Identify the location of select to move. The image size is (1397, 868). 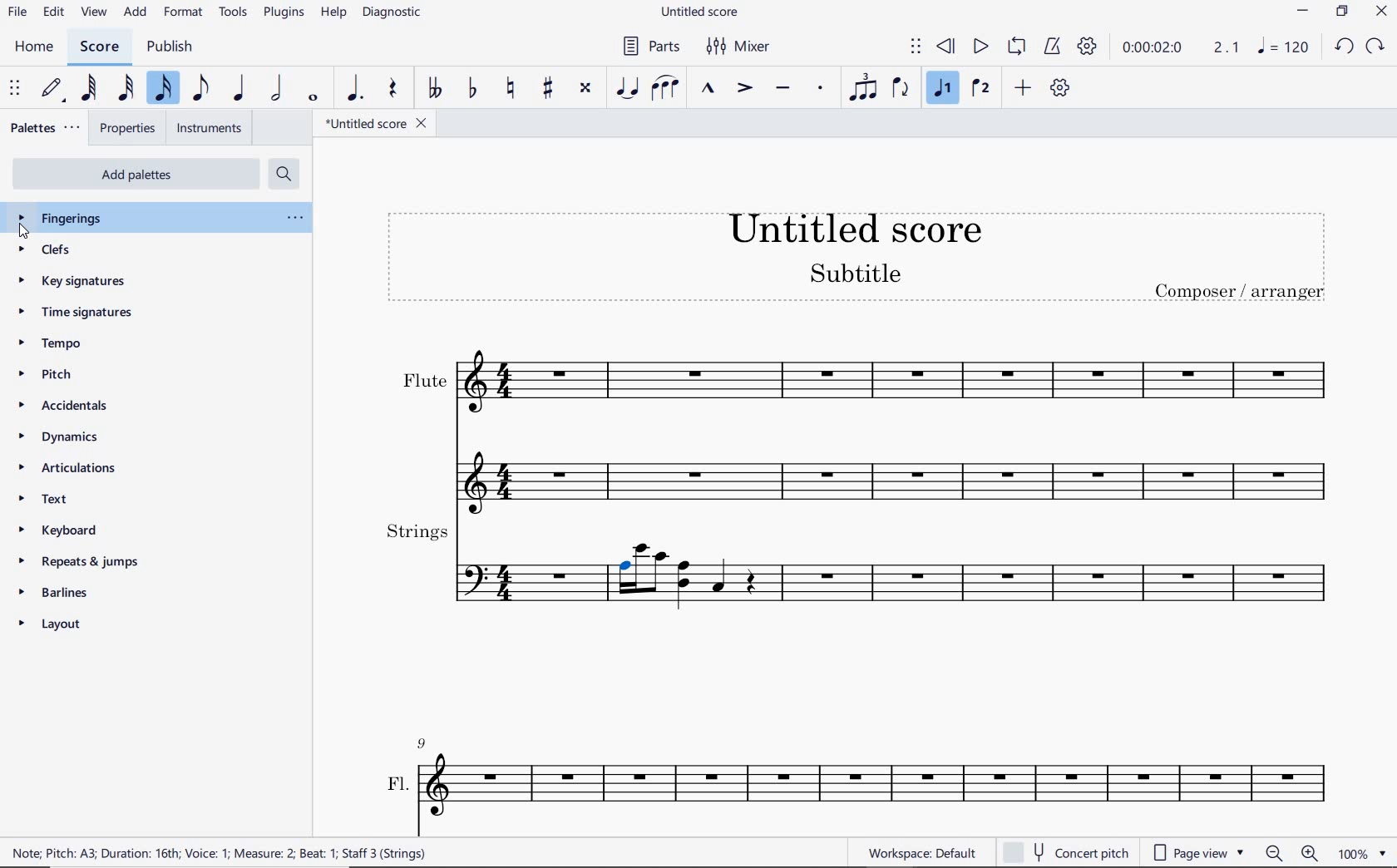
(915, 47).